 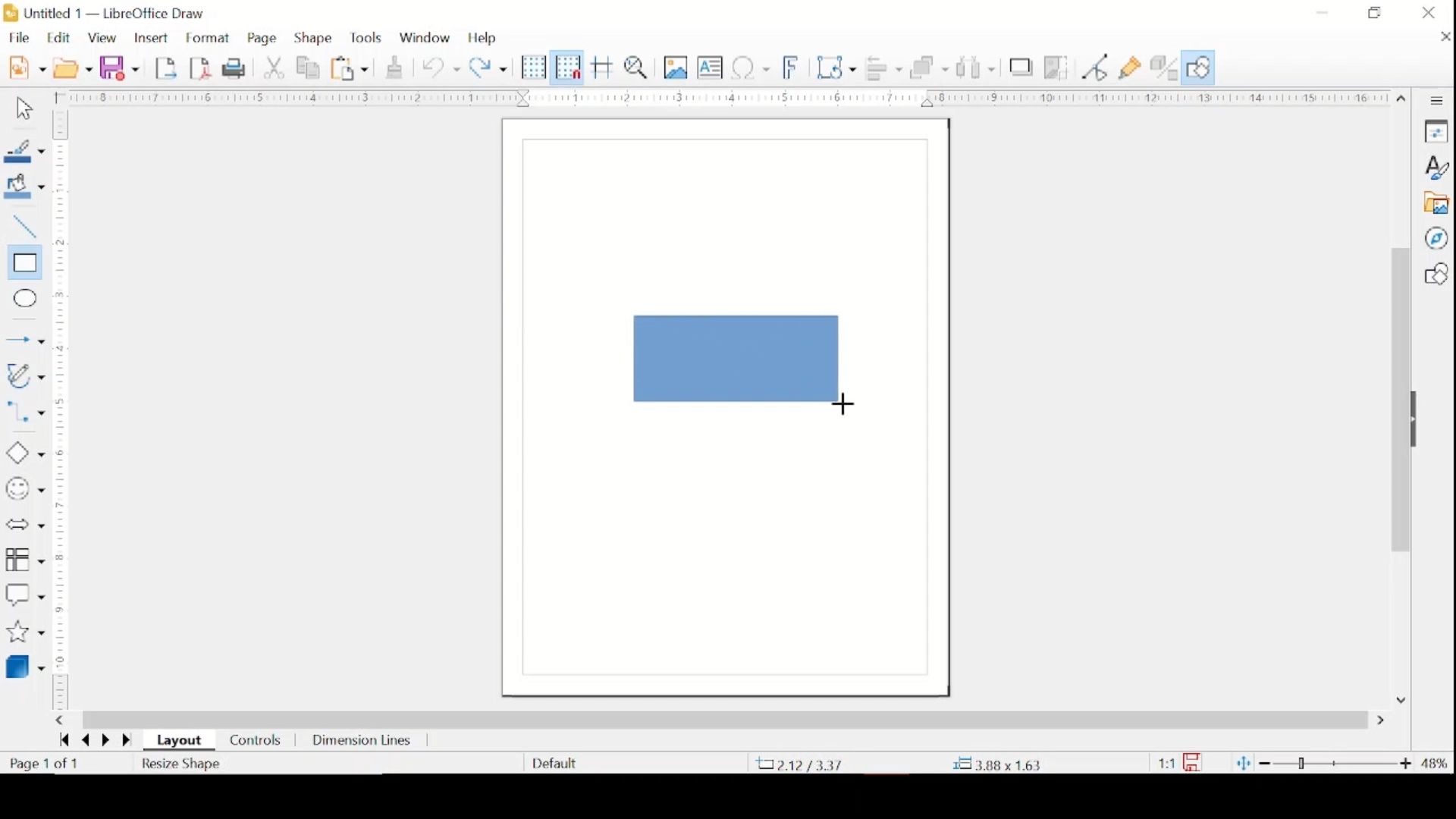 What do you see at coordinates (27, 187) in the screenshot?
I see `fill color` at bounding box center [27, 187].